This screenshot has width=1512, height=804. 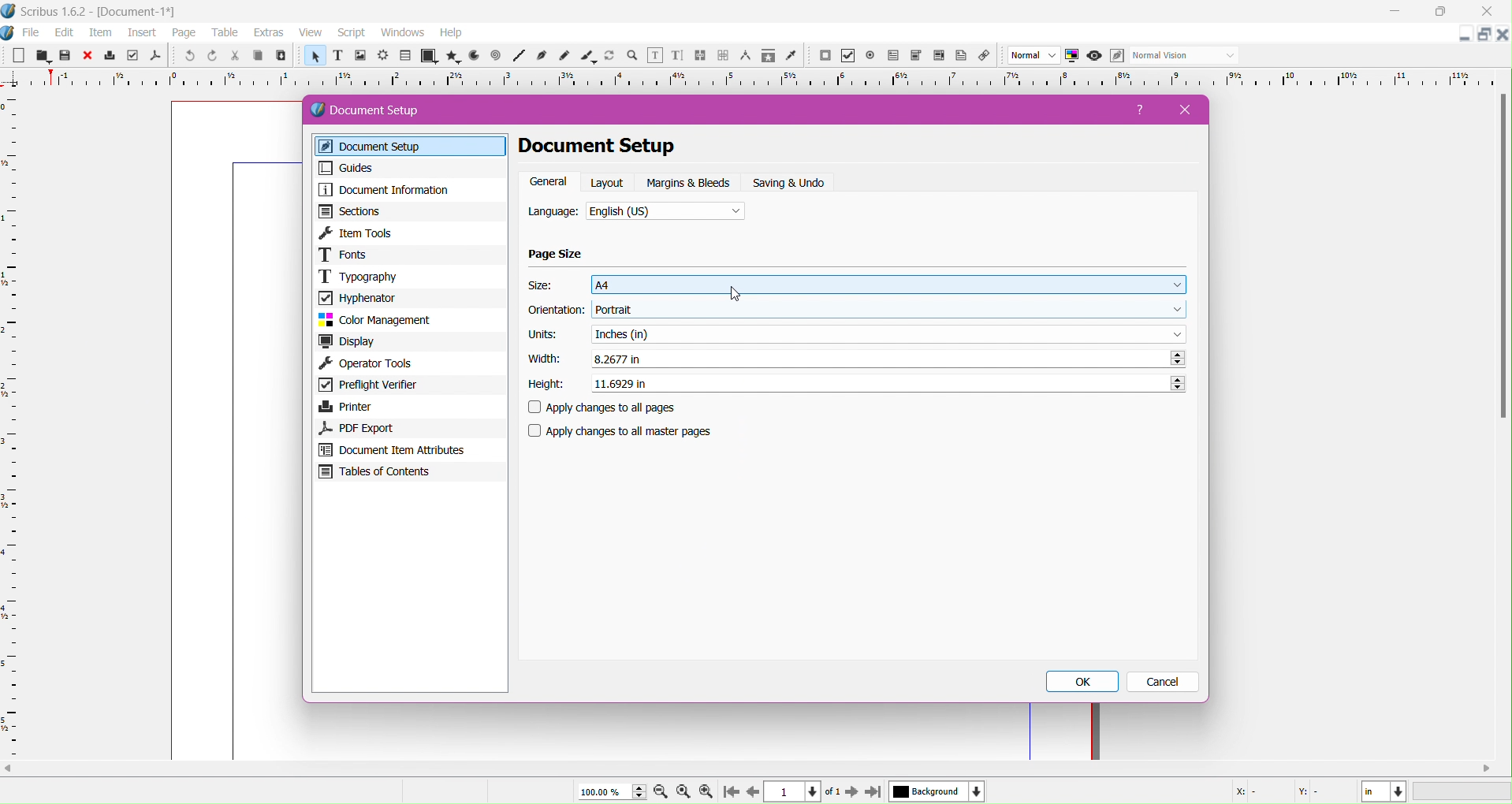 I want to click on progress bar, so click(x=1463, y=792).